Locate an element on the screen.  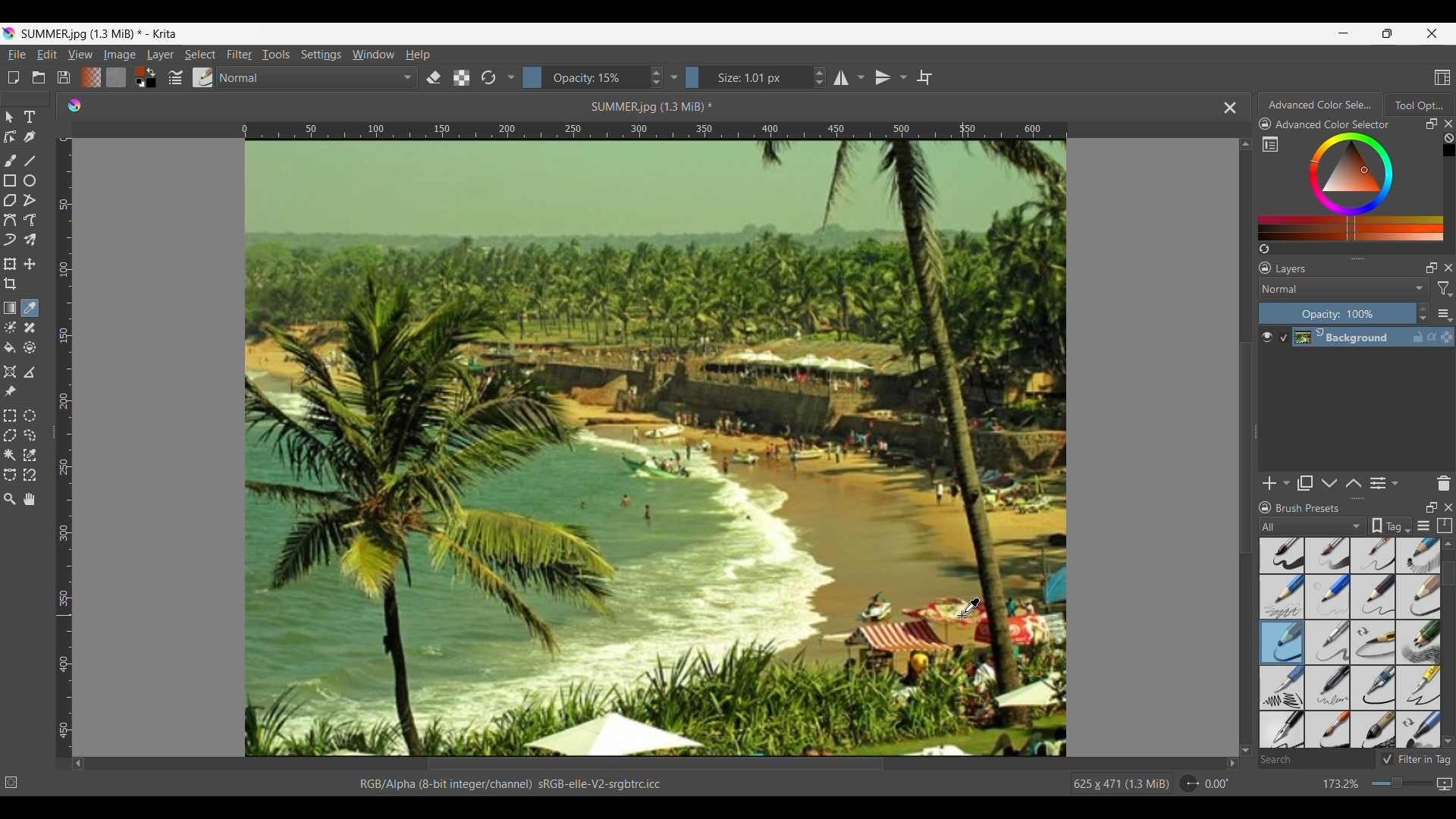
Horizontal mirror tool is located at coordinates (839, 77).